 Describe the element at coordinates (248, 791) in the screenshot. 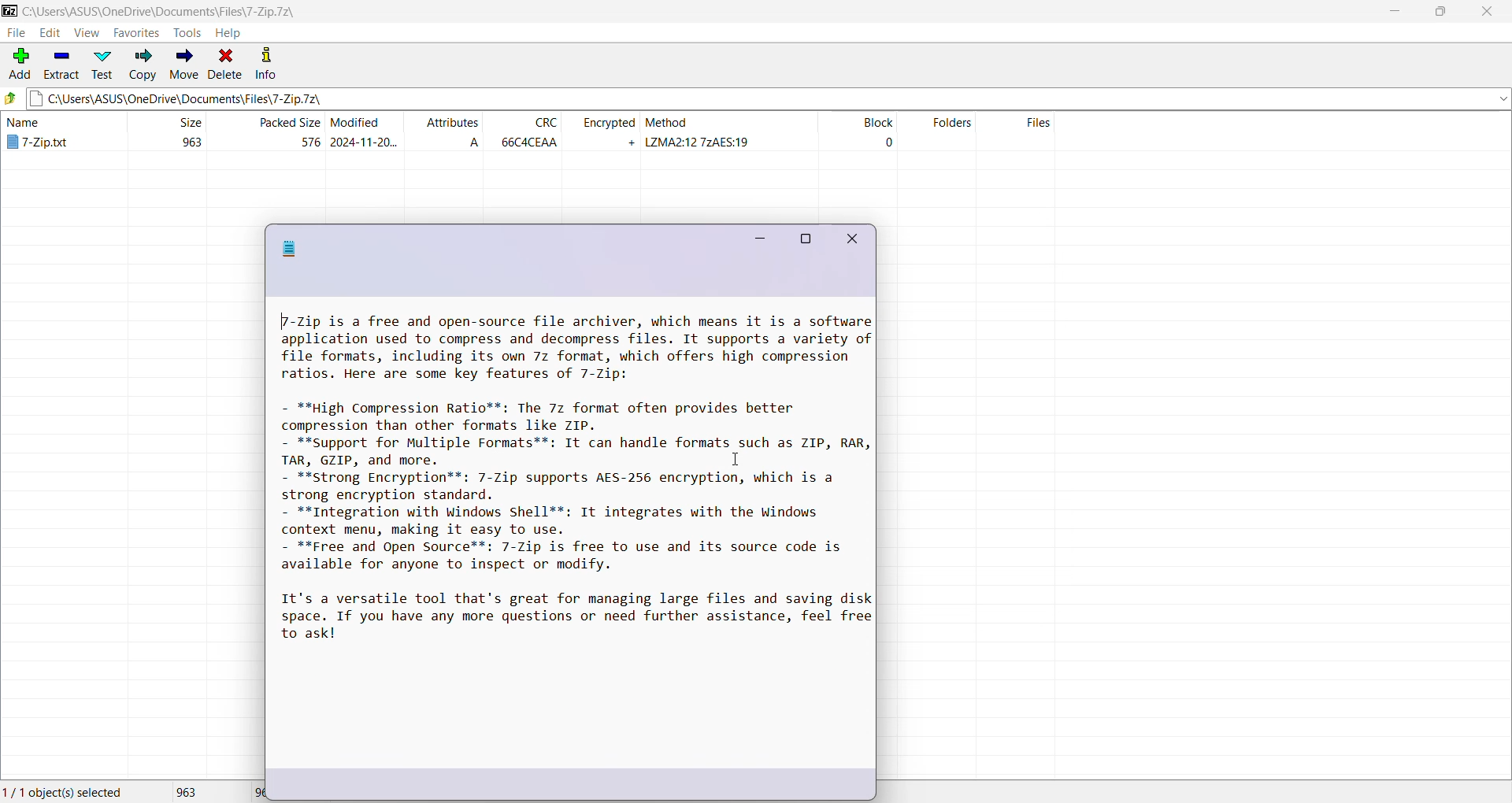

I see `Size of the last file selected` at that location.